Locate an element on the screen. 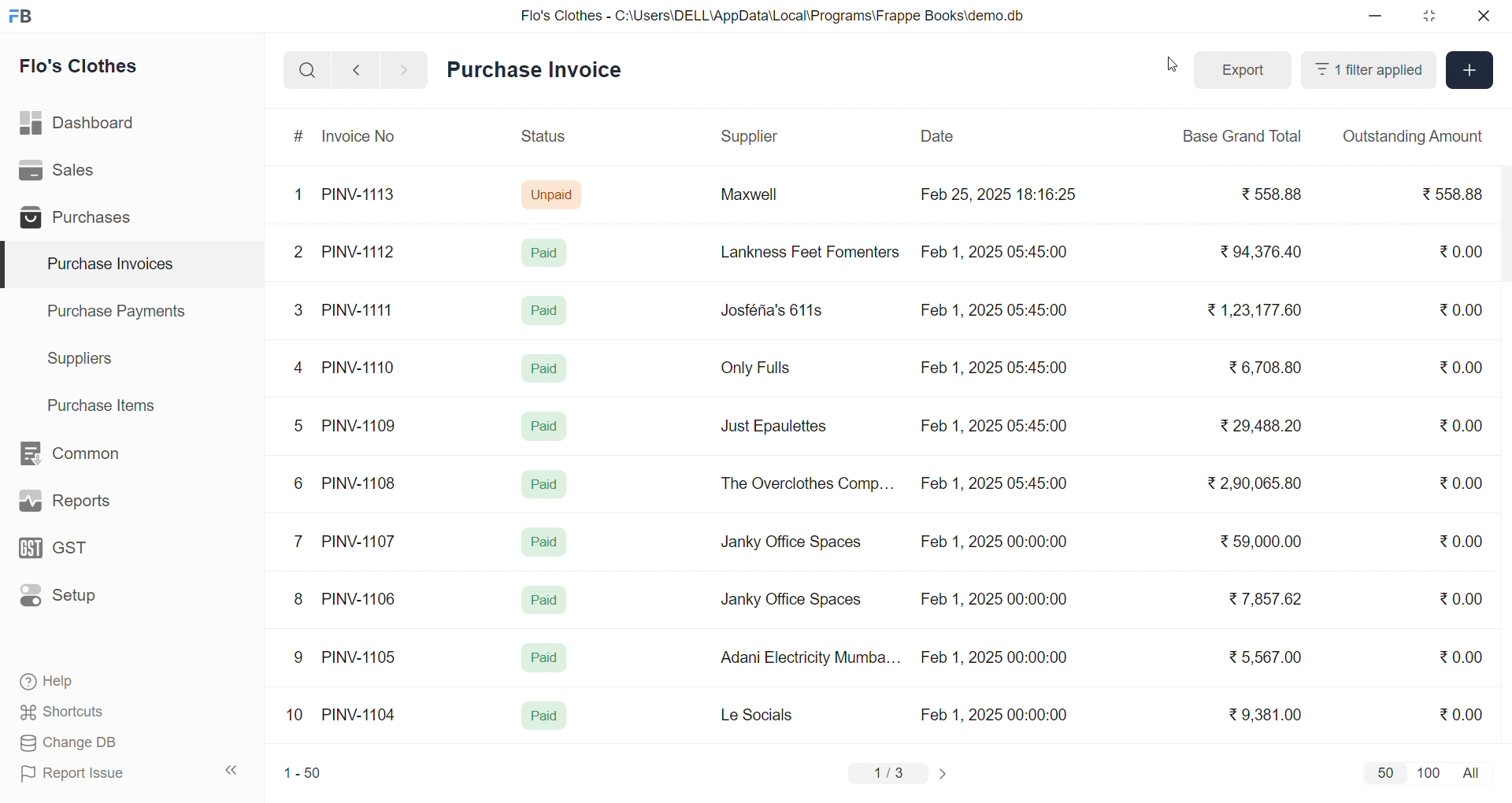  ₹94,376.40 is located at coordinates (1257, 253).